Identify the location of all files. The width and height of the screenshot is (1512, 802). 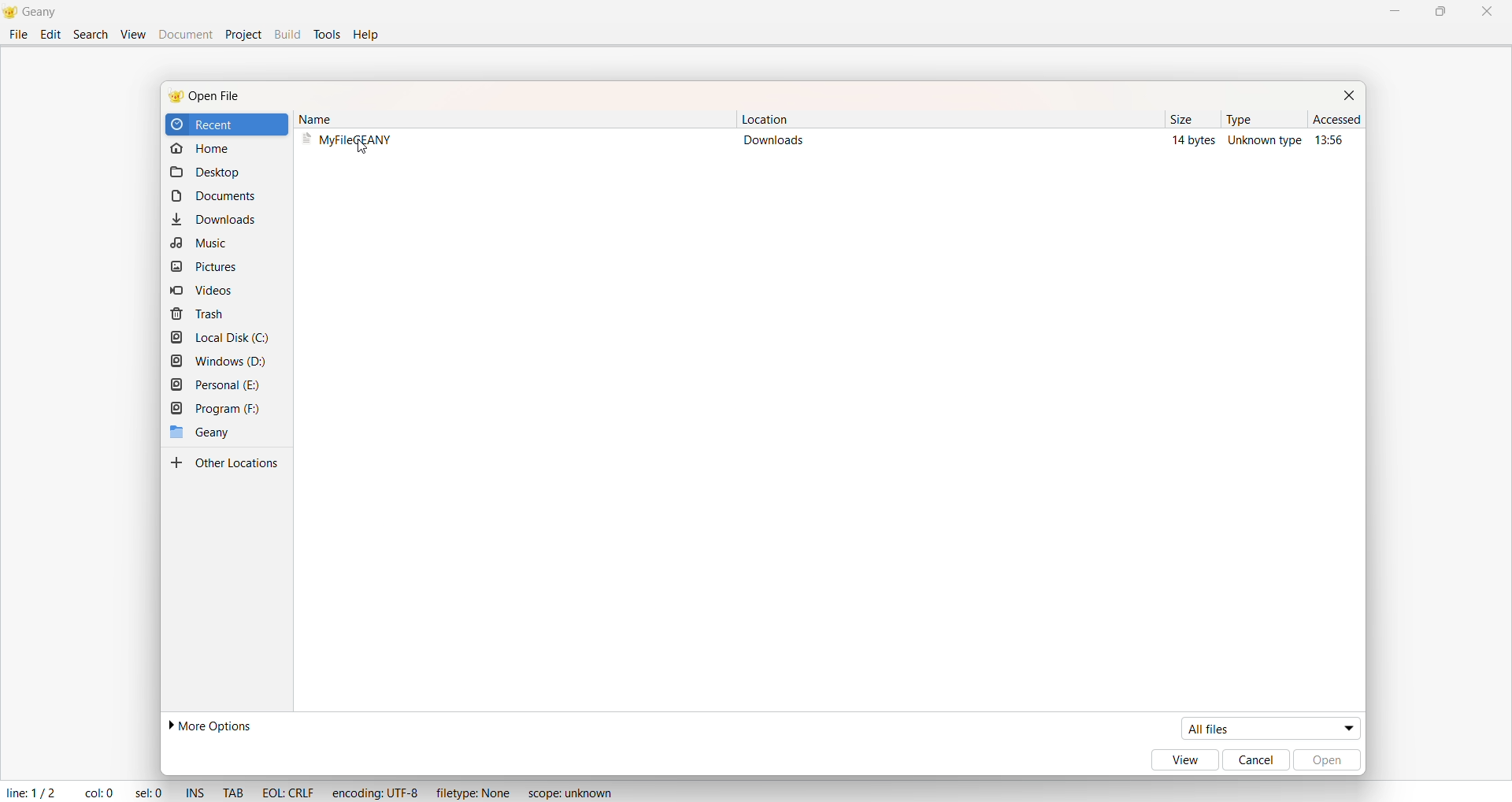
(1253, 727).